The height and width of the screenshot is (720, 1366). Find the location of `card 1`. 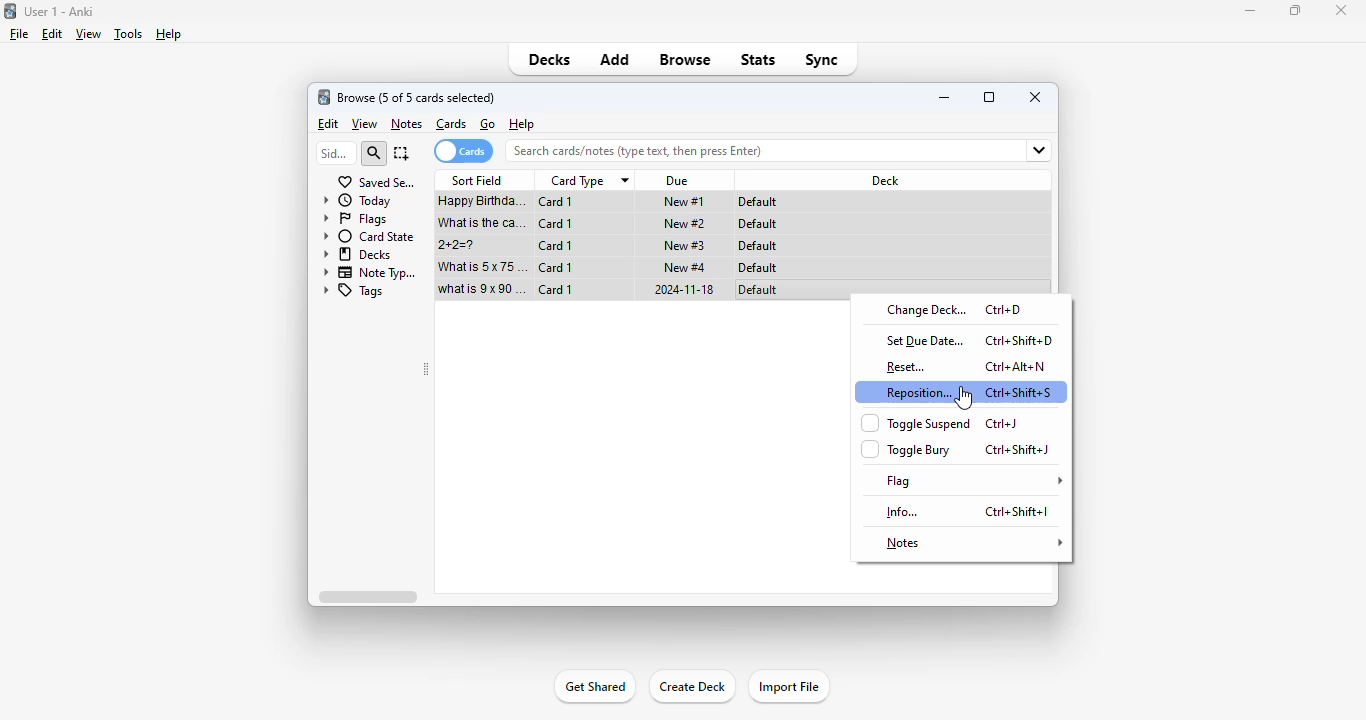

card 1 is located at coordinates (557, 202).